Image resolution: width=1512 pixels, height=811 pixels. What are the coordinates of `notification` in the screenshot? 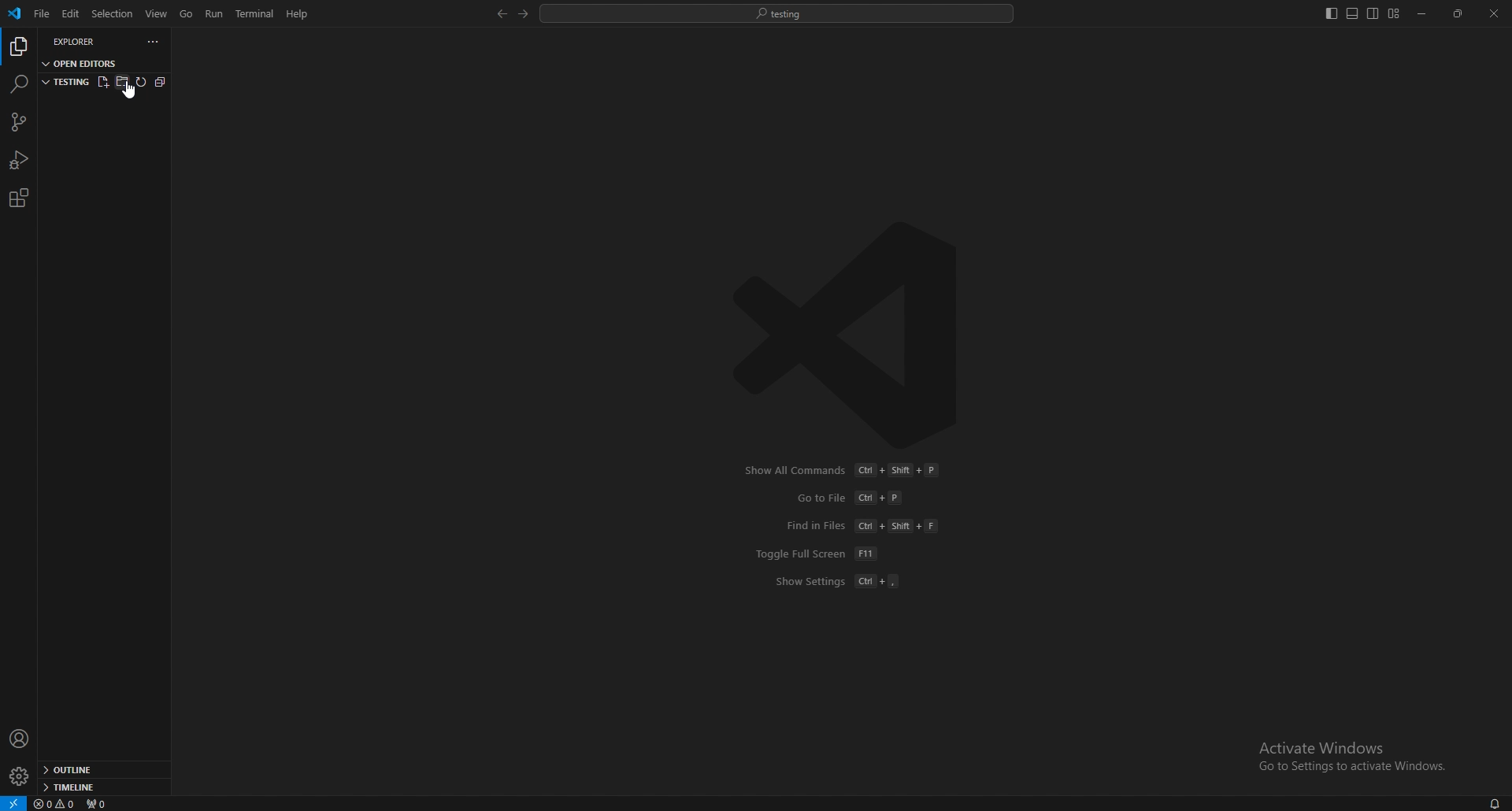 It's located at (1495, 805).